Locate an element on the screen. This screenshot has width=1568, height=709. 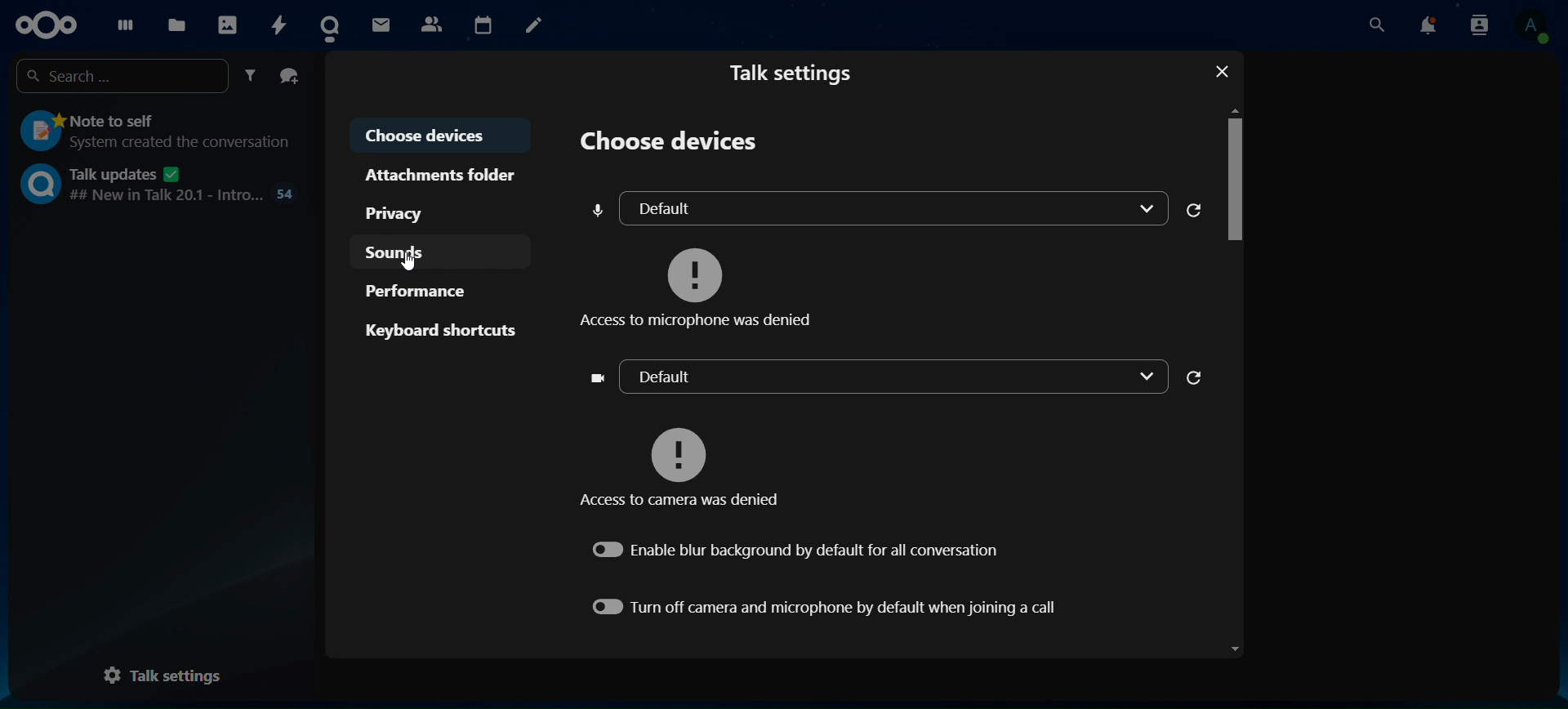
talk updates ## New in talk 20.1 - intro ...54 is located at coordinates (158, 183).